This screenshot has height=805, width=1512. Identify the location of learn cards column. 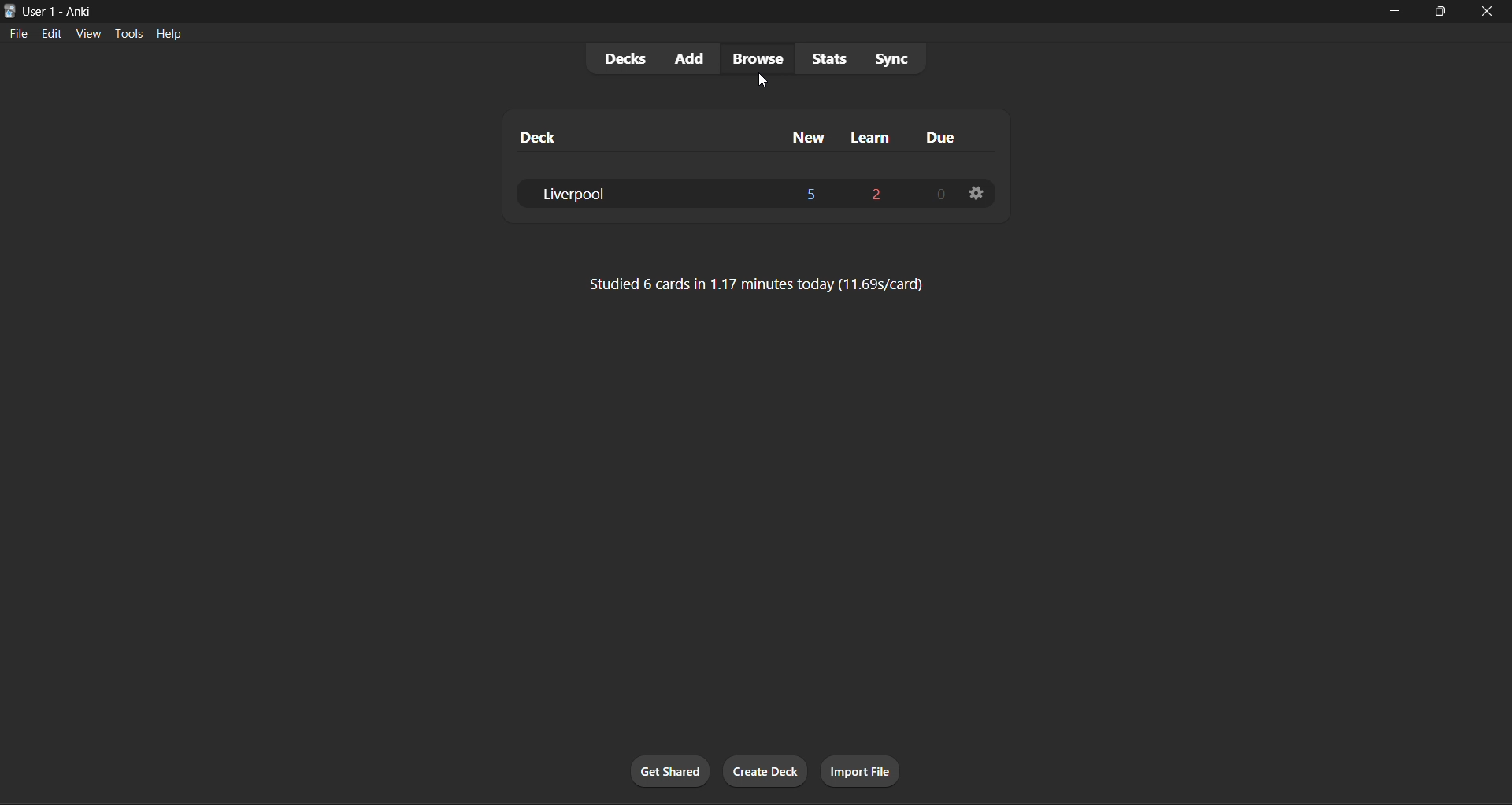
(873, 133).